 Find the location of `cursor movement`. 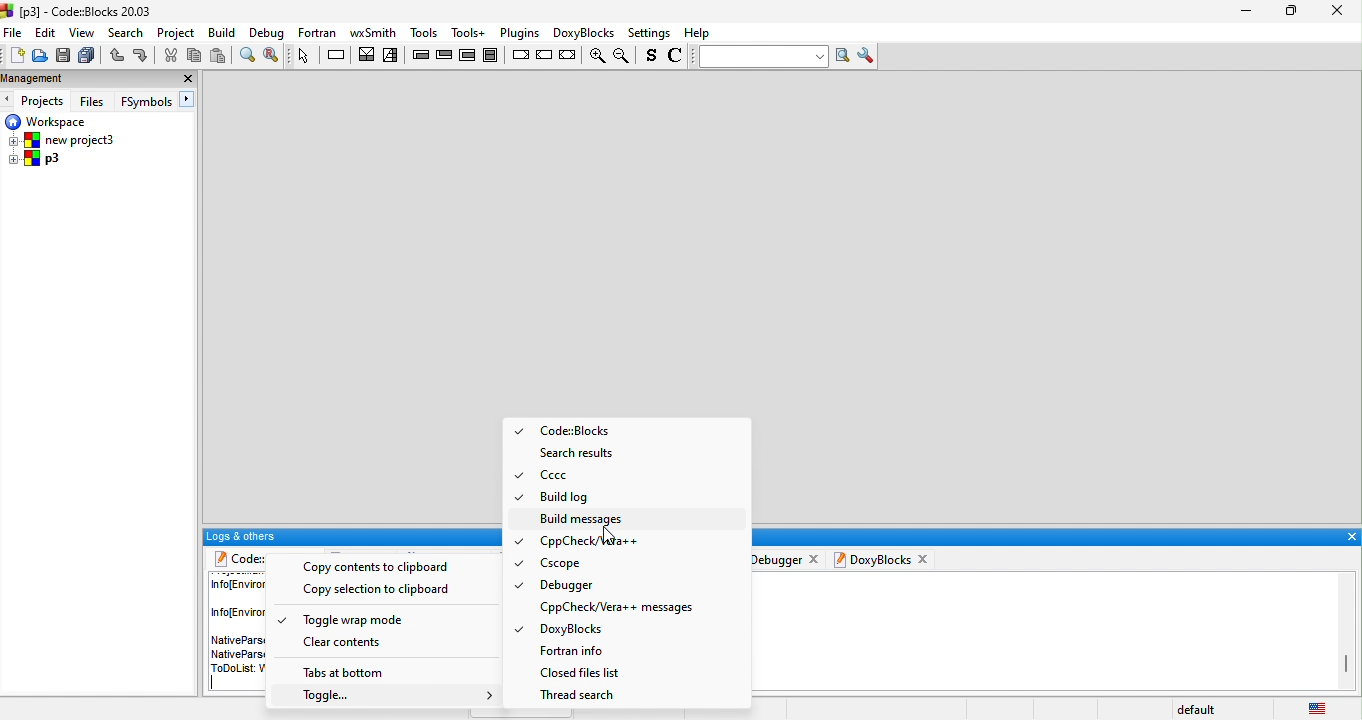

cursor movement is located at coordinates (610, 536).